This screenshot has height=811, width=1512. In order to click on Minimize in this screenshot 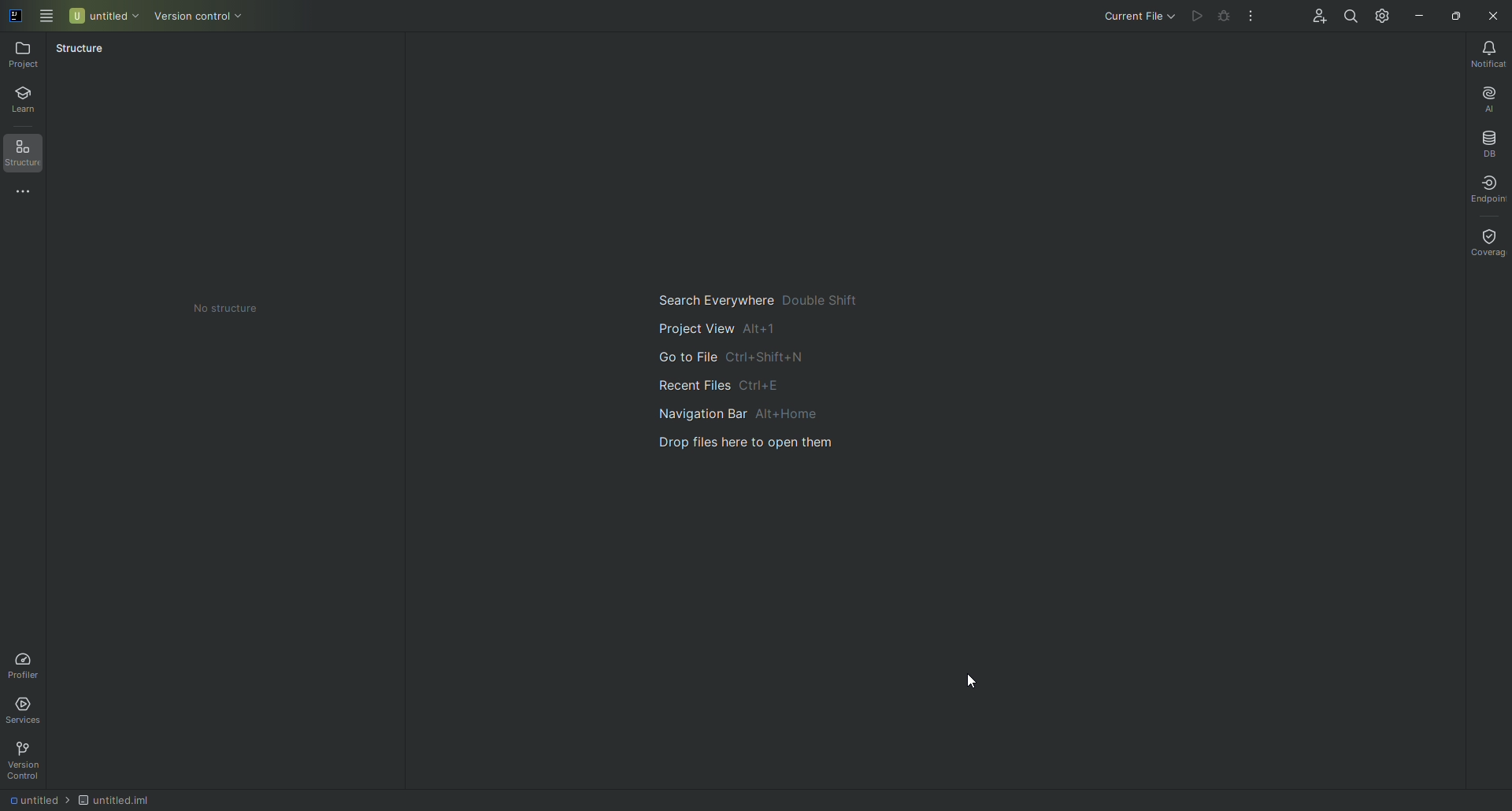, I will do `click(1418, 15)`.